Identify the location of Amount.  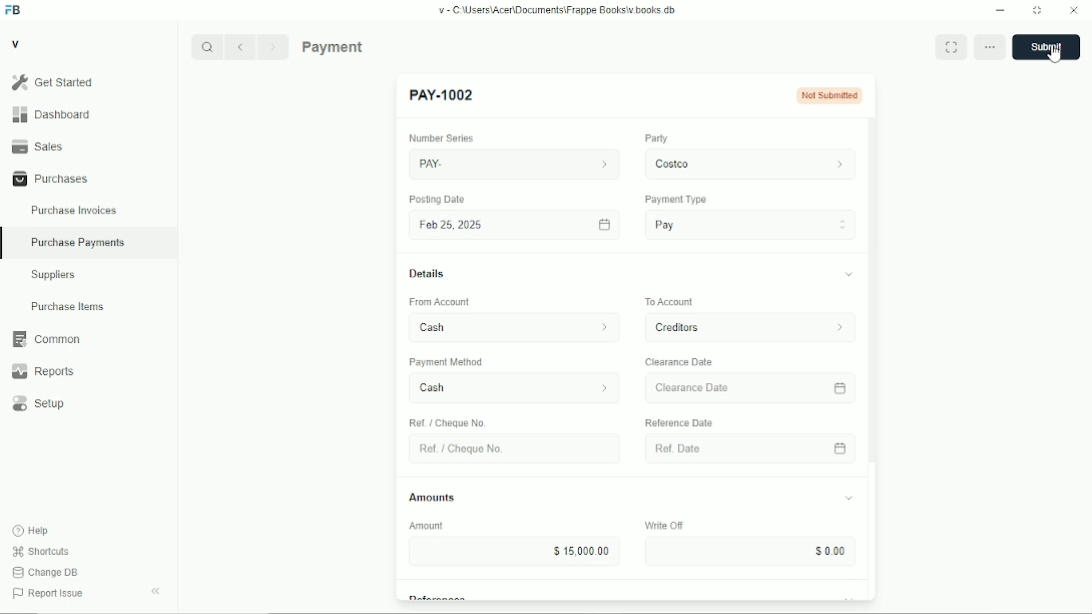
(435, 526).